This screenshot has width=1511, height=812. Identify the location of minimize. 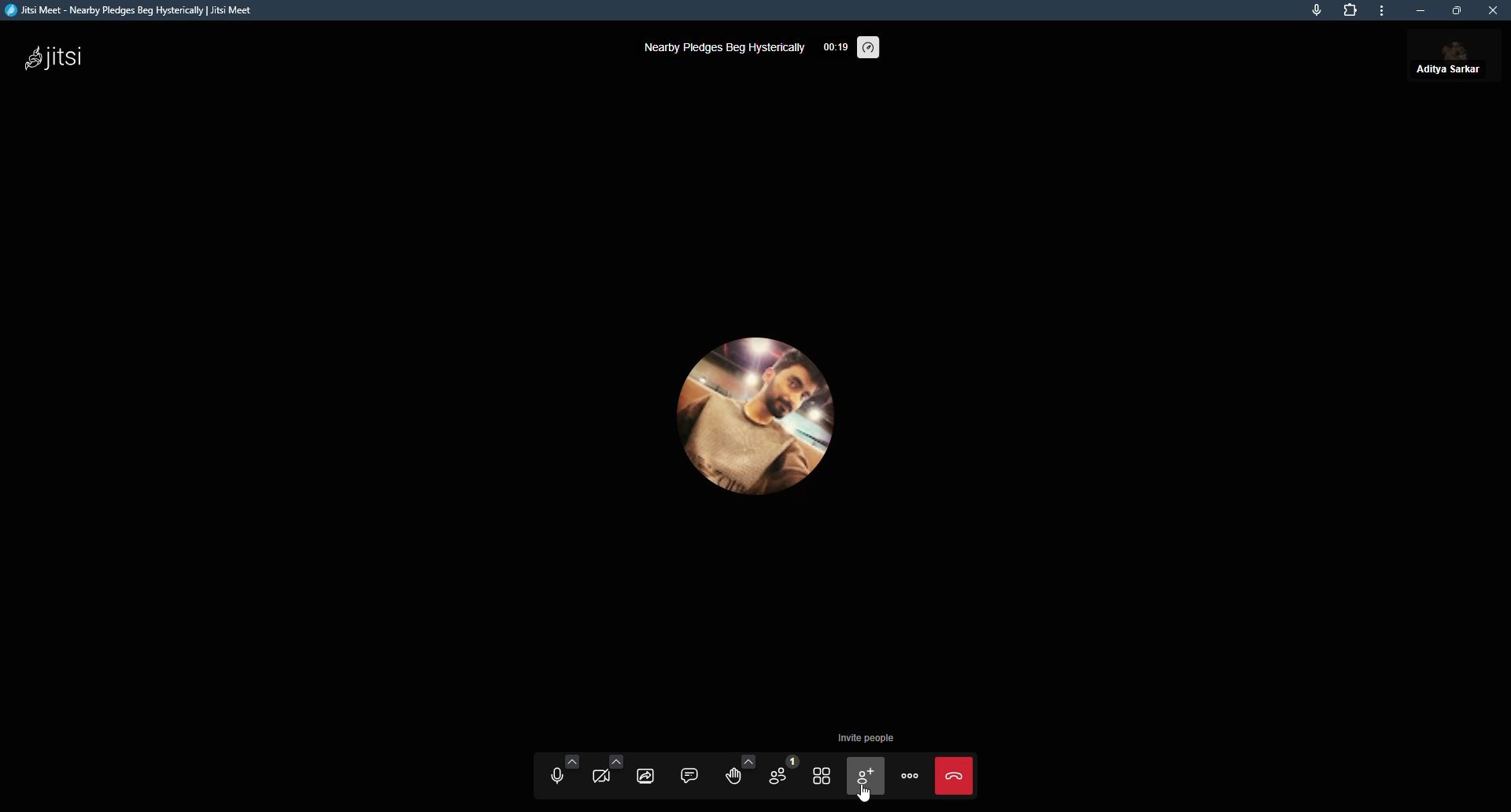
(1422, 11).